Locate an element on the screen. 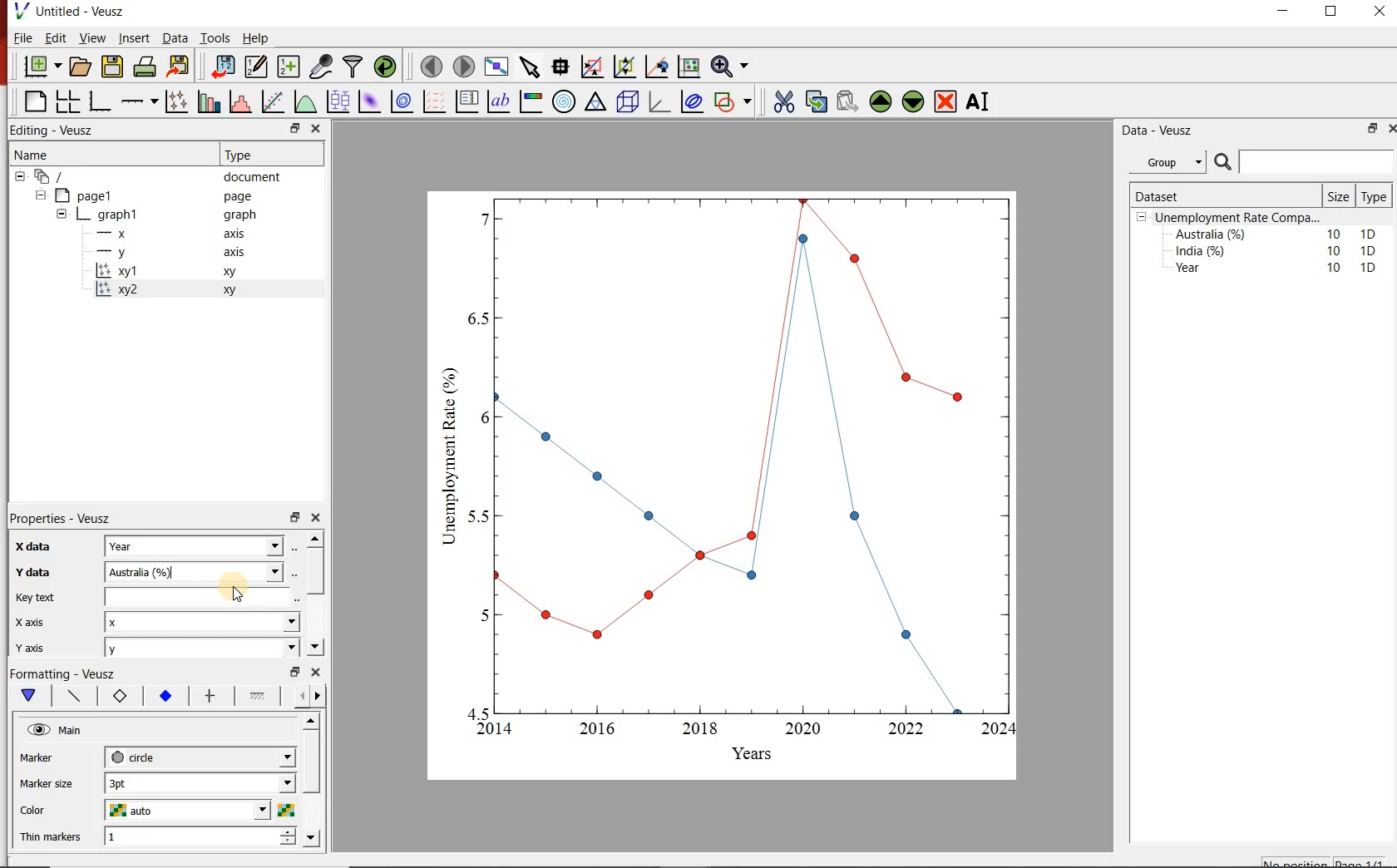 The image size is (1397, 868). plot box plots is located at coordinates (338, 101).